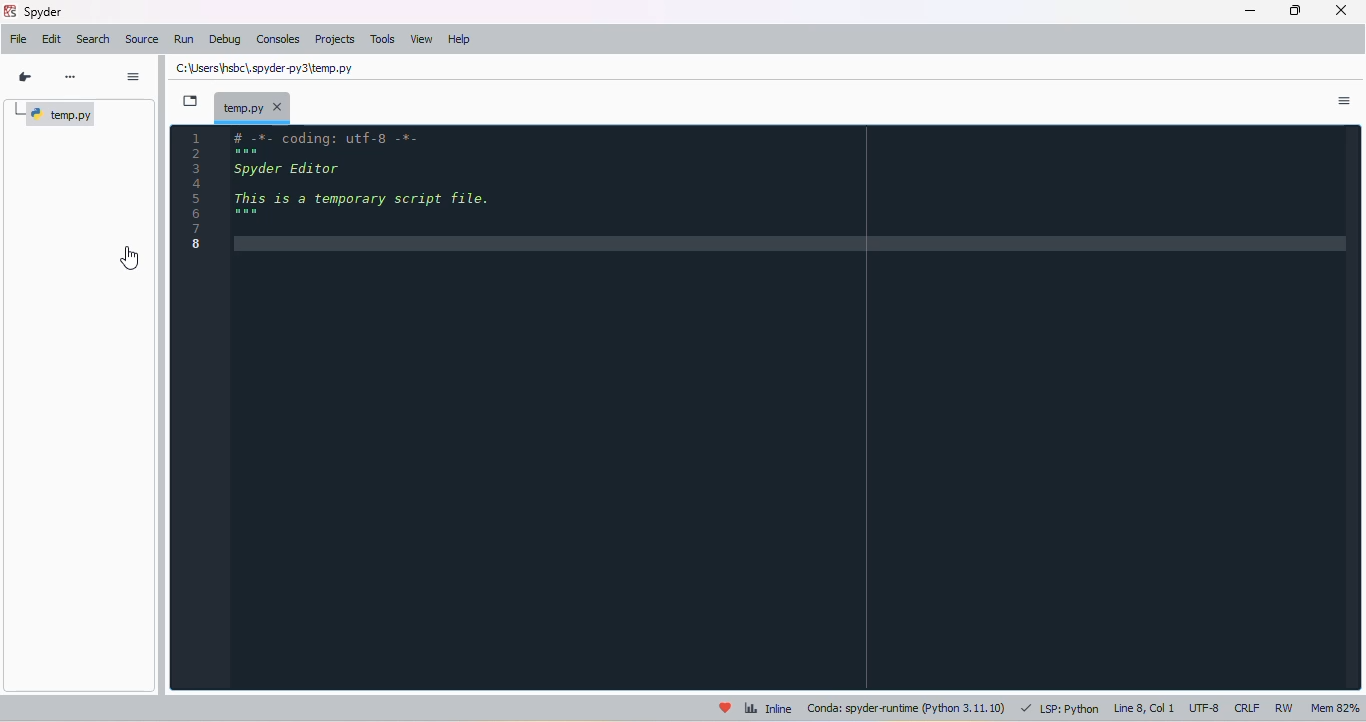 This screenshot has width=1366, height=722. Describe the element at coordinates (142, 39) in the screenshot. I see `source` at that location.